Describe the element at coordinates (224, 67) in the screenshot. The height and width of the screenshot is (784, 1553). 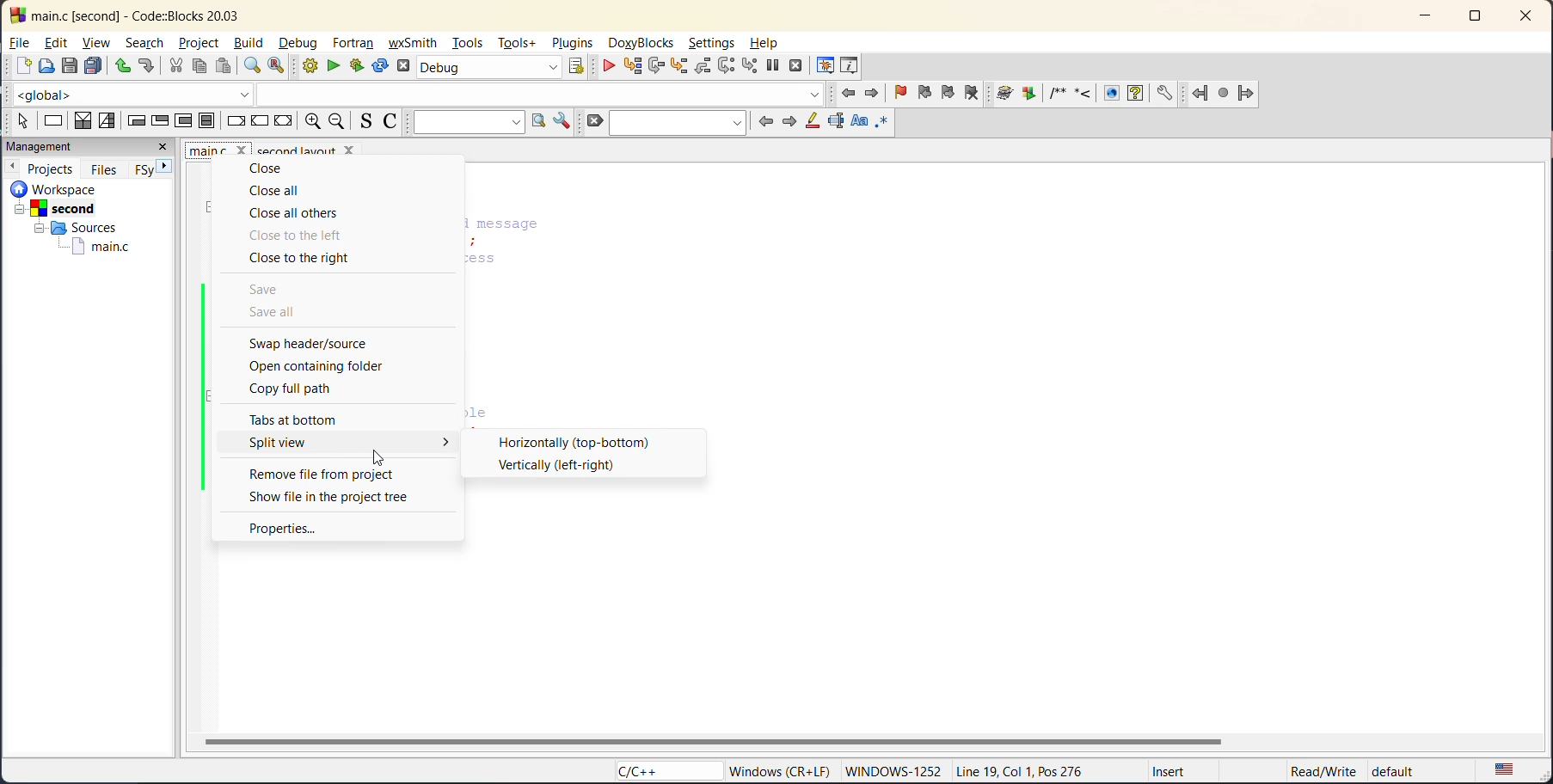
I see `paste` at that location.